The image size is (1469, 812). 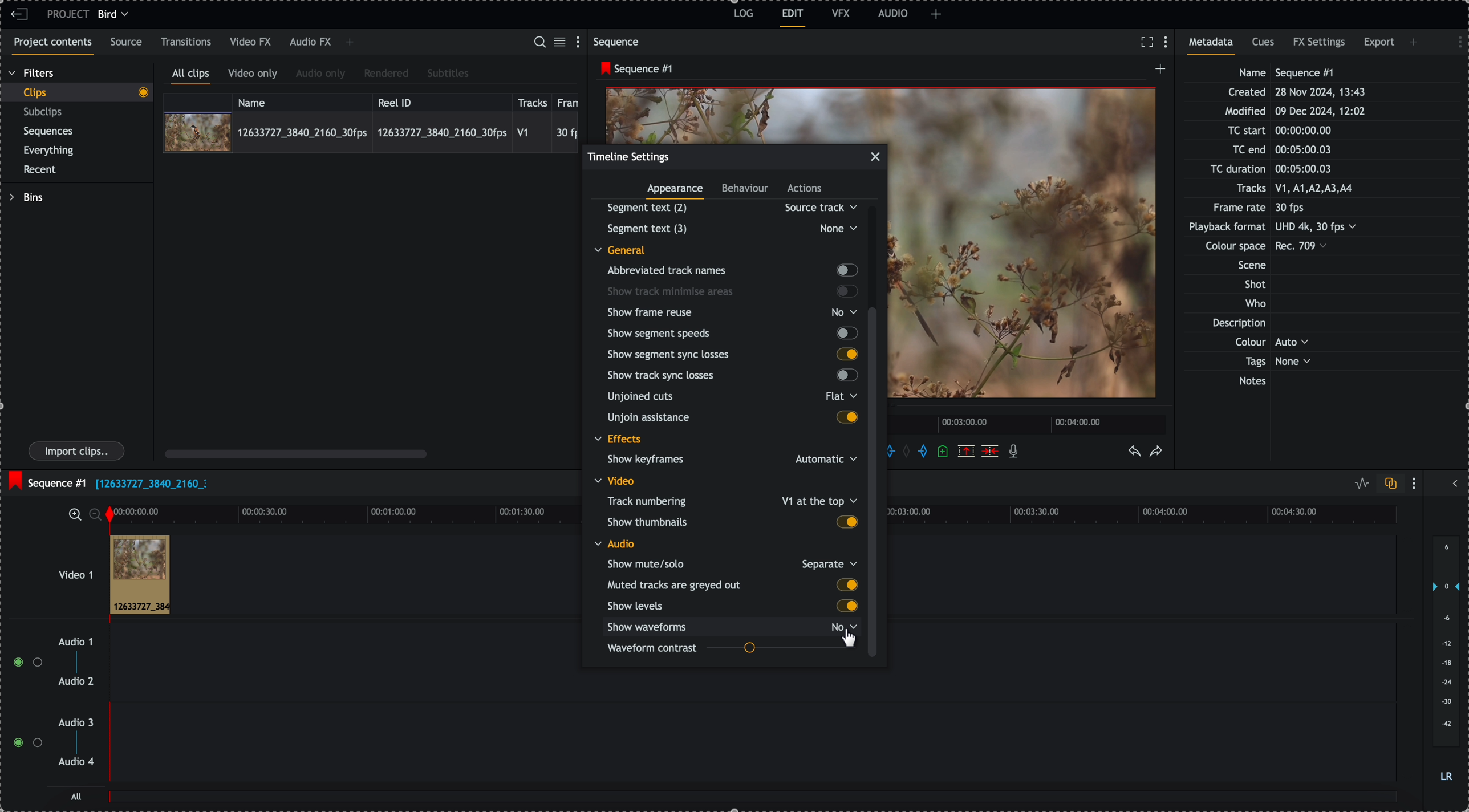 What do you see at coordinates (966, 450) in the screenshot?
I see `remove the marked section` at bounding box center [966, 450].